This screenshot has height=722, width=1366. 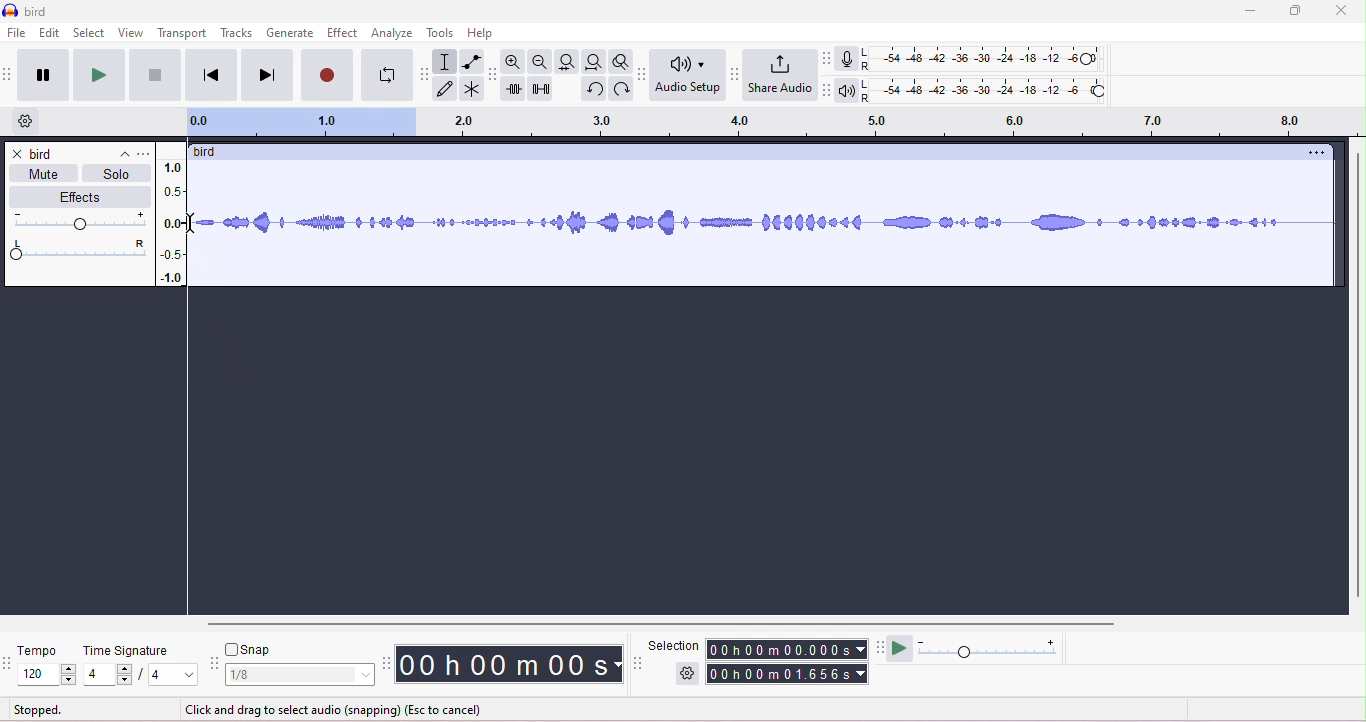 I want to click on tools, so click(x=439, y=33).